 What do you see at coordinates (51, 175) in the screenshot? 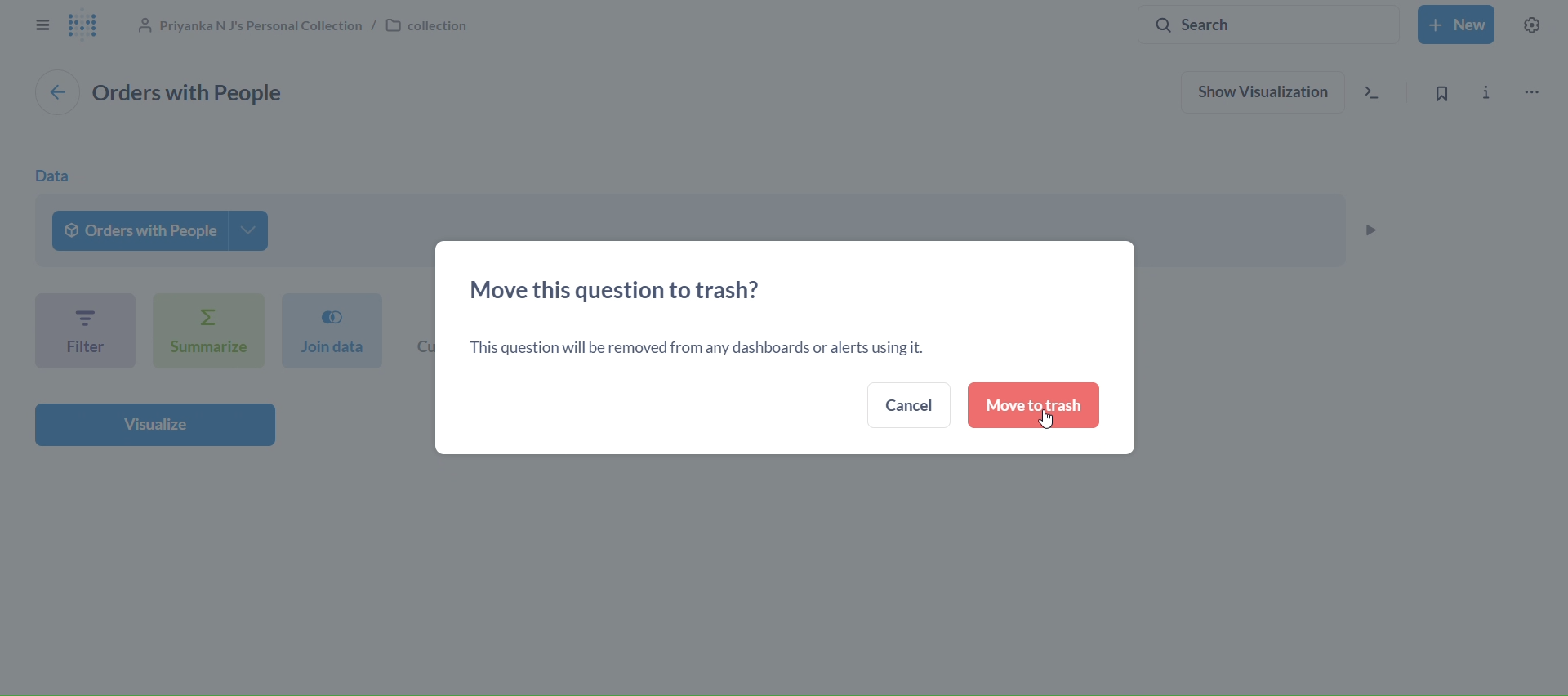
I see `data` at bounding box center [51, 175].